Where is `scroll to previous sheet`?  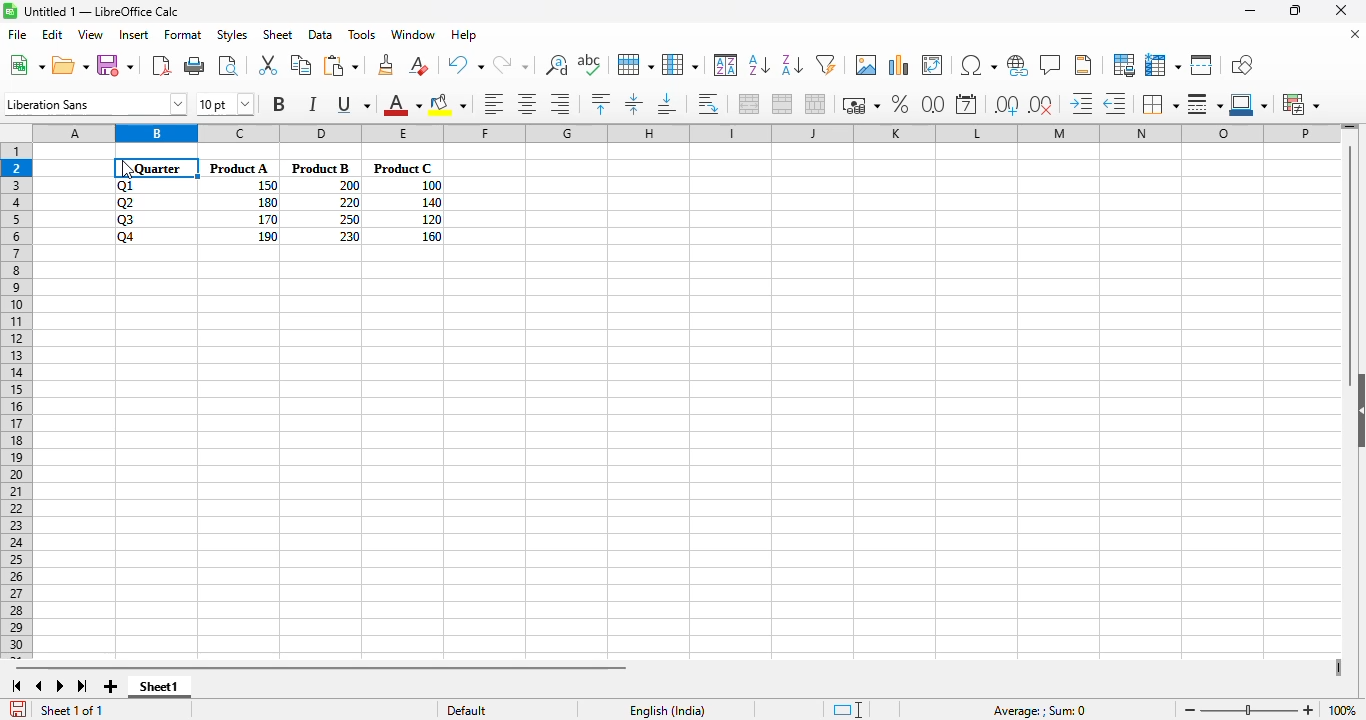 scroll to previous sheet is located at coordinates (39, 686).